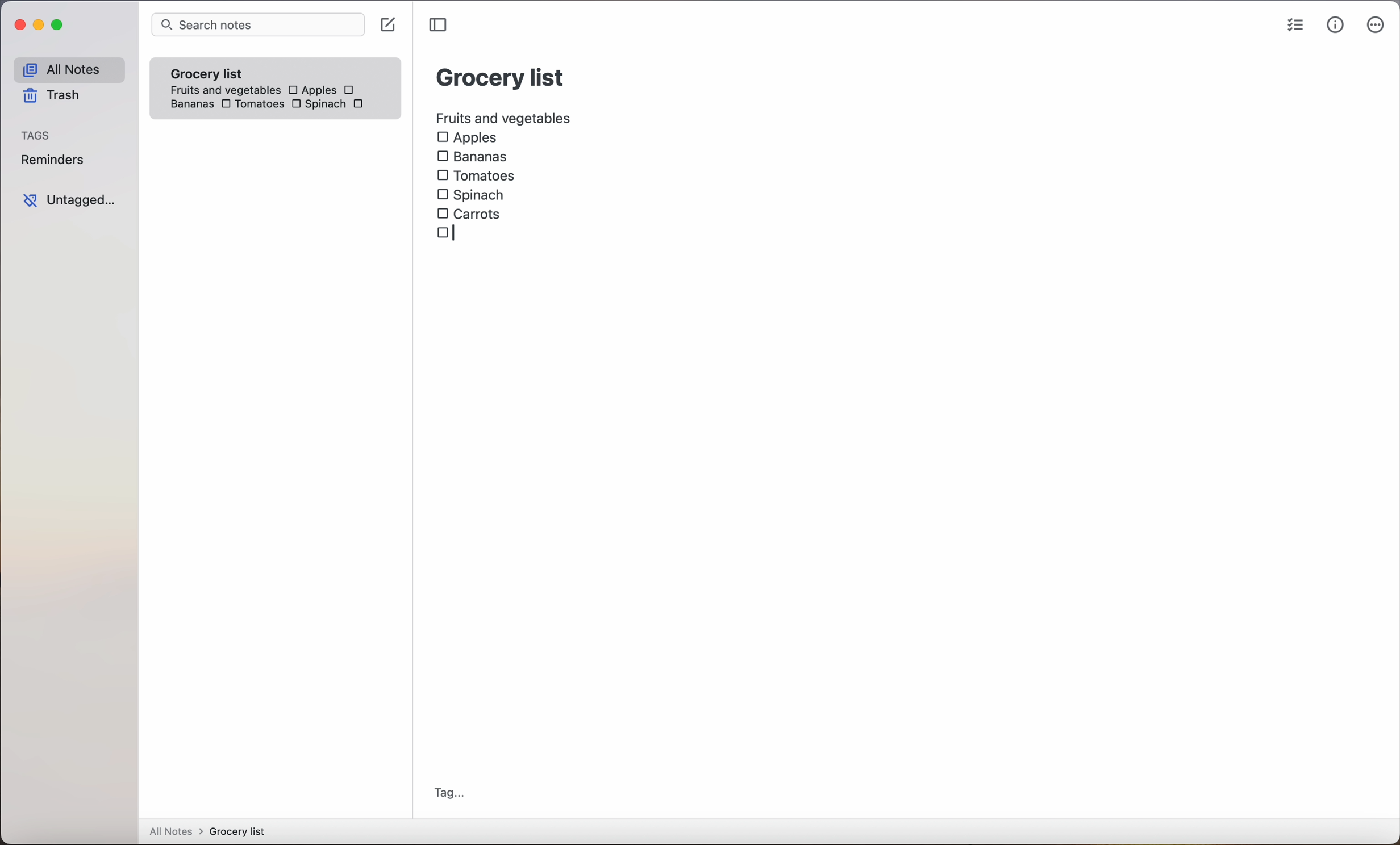  Describe the element at coordinates (440, 25) in the screenshot. I see `toggle sidebar` at that location.